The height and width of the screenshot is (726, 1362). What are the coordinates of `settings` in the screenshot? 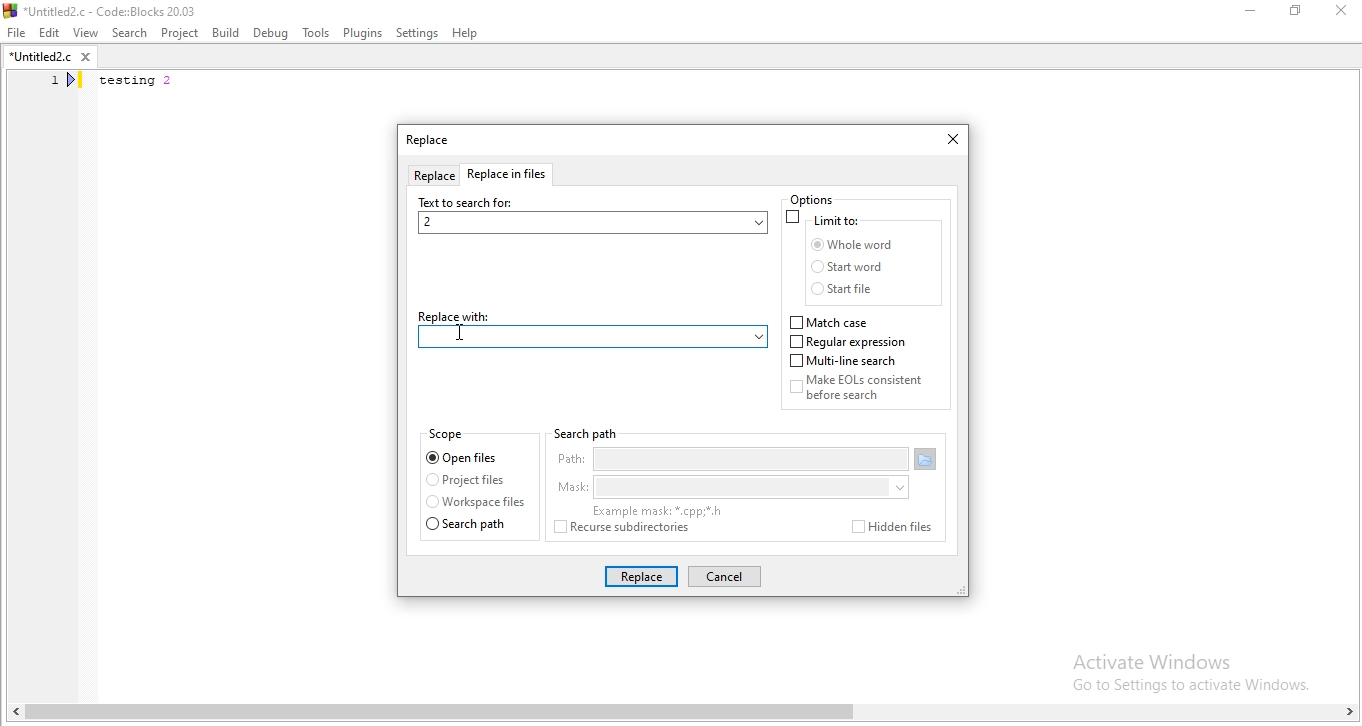 It's located at (418, 33).